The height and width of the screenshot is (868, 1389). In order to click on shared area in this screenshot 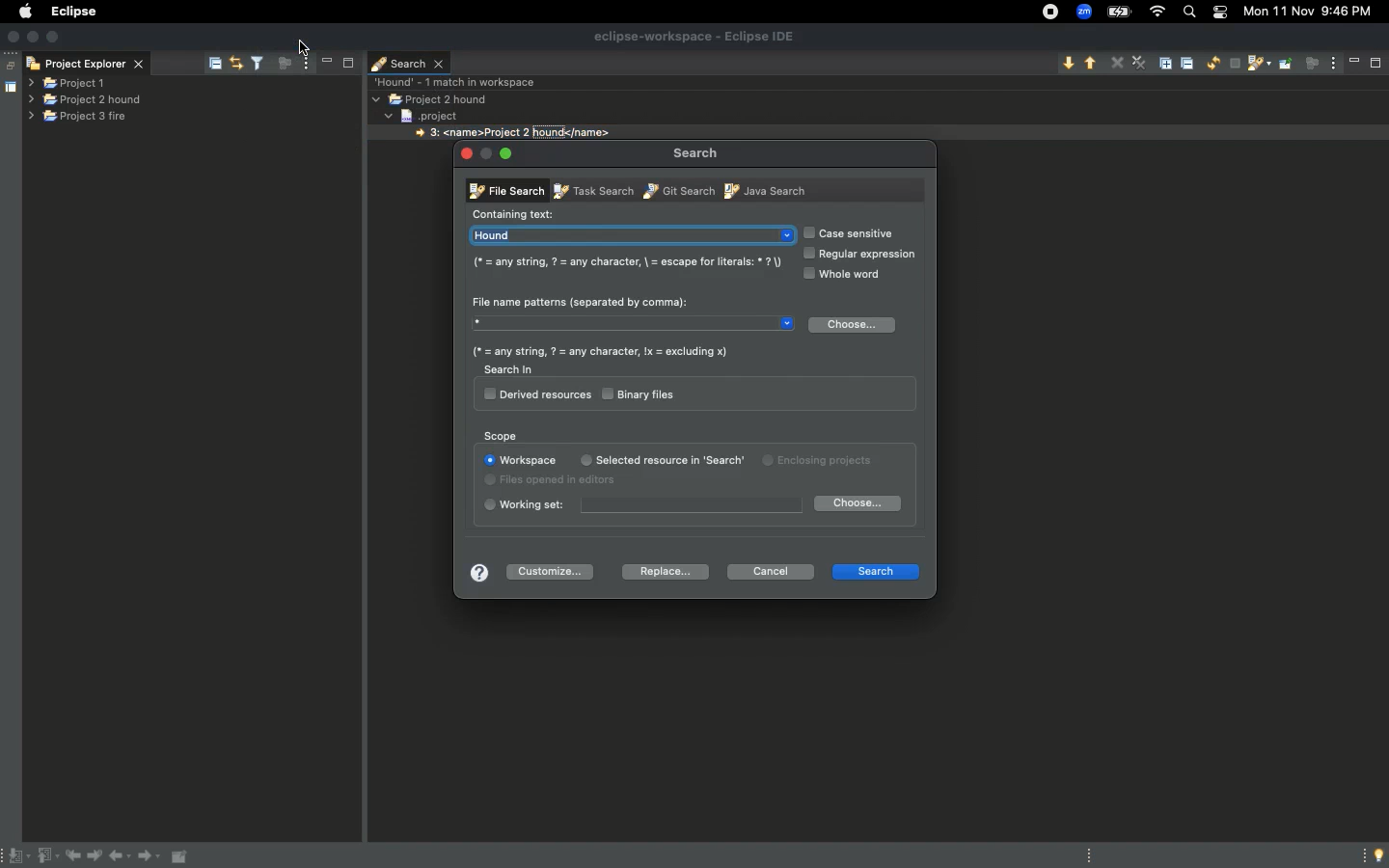, I will do `click(1, 88)`.